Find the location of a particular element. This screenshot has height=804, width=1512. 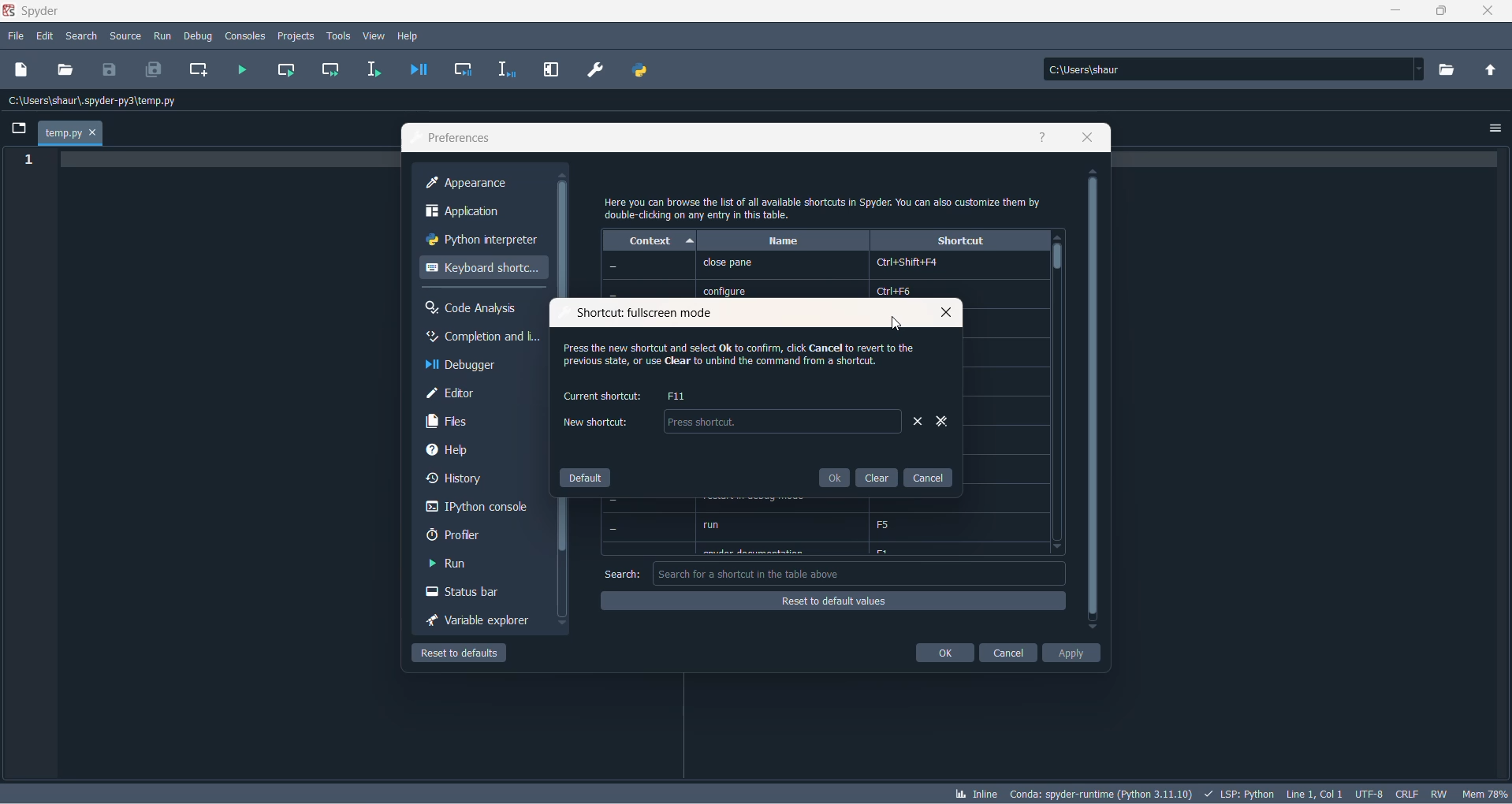

proflier is located at coordinates (472, 535).